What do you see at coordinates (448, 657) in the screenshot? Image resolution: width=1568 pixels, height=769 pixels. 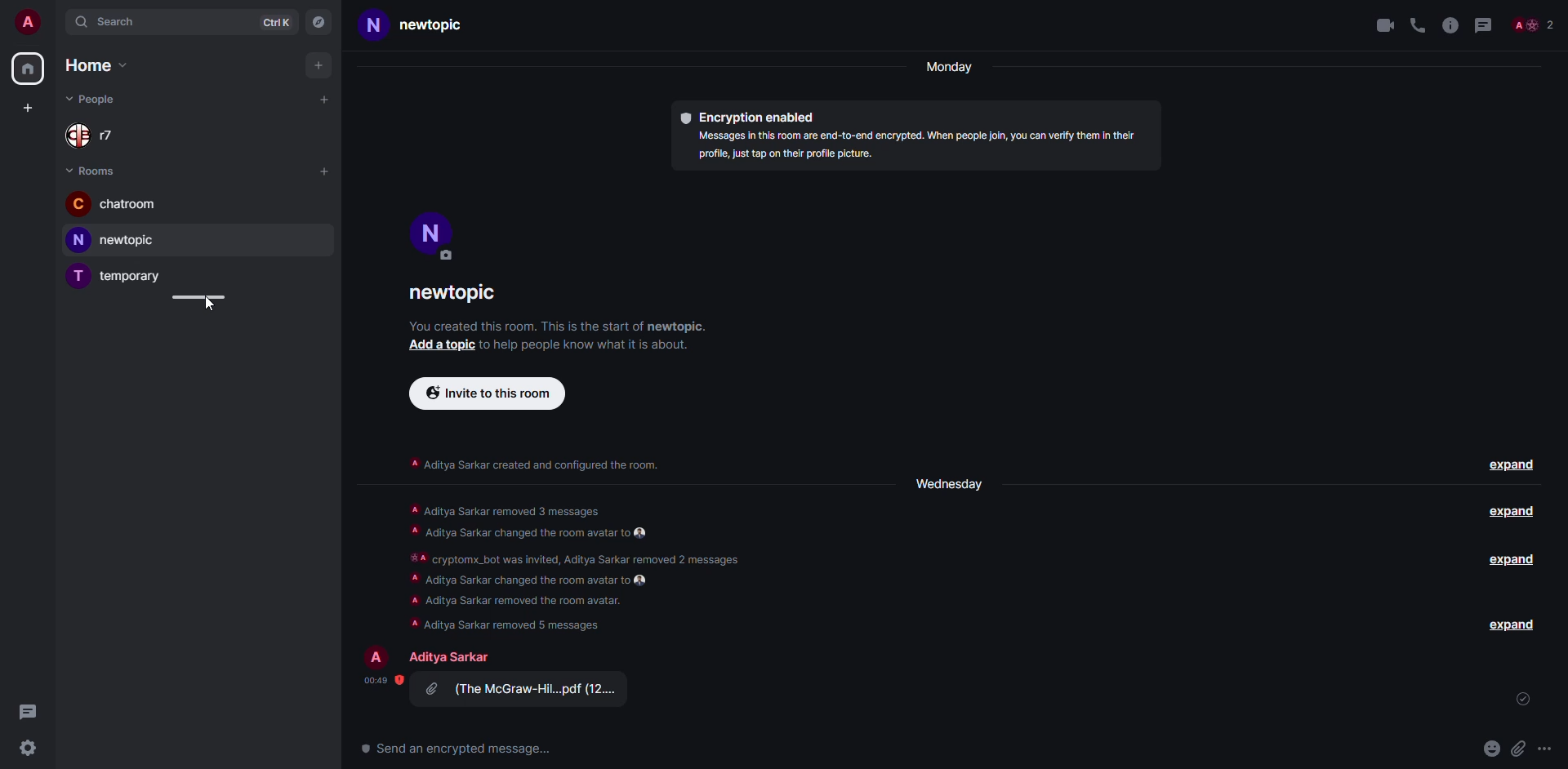 I see `Aditya sarkar` at bounding box center [448, 657].